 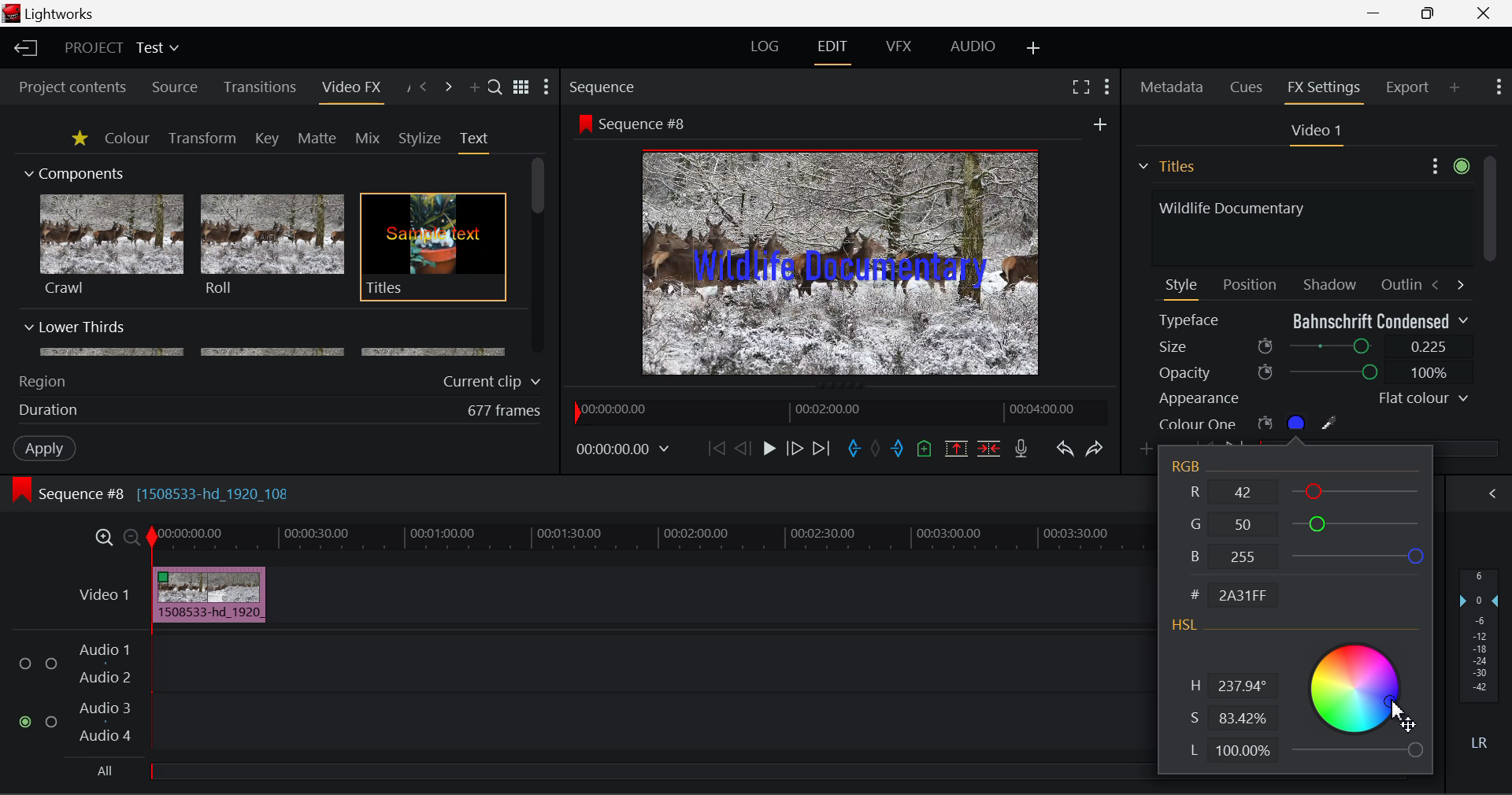 I want to click on Show Settings, so click(x=1109, y=87).